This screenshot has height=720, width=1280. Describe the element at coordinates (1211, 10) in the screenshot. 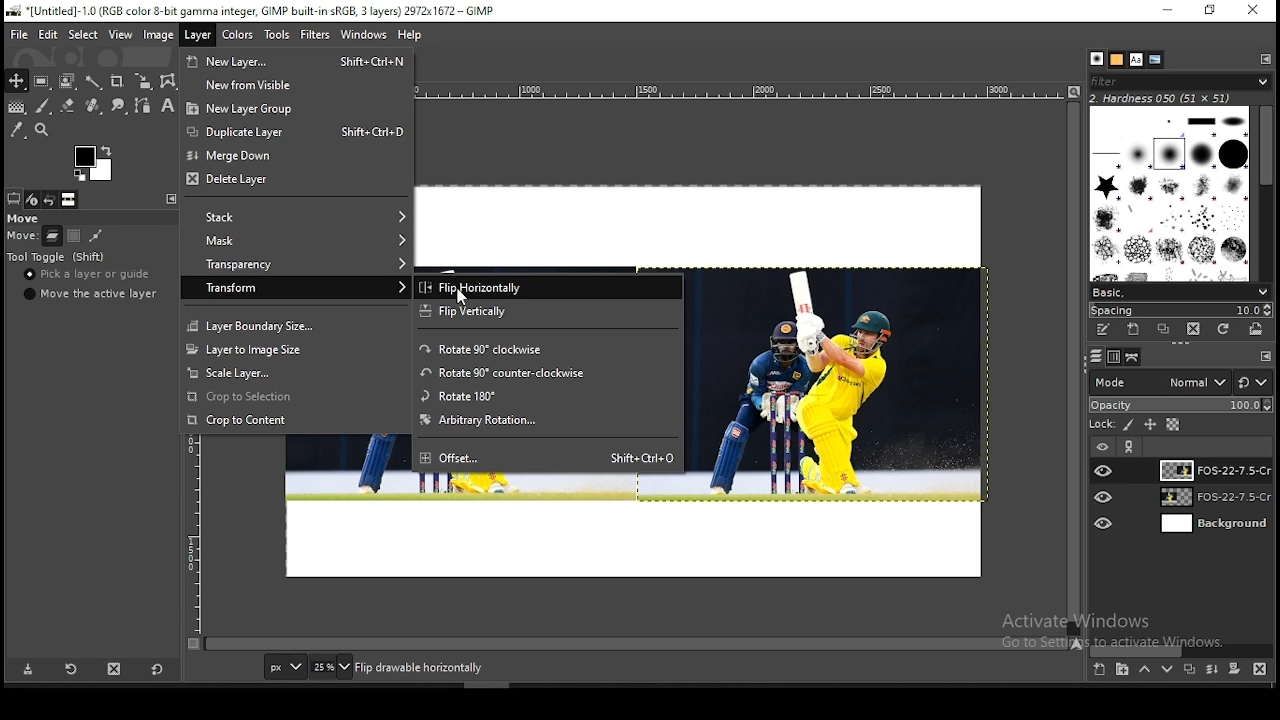

I see `Maximise ` at that location.